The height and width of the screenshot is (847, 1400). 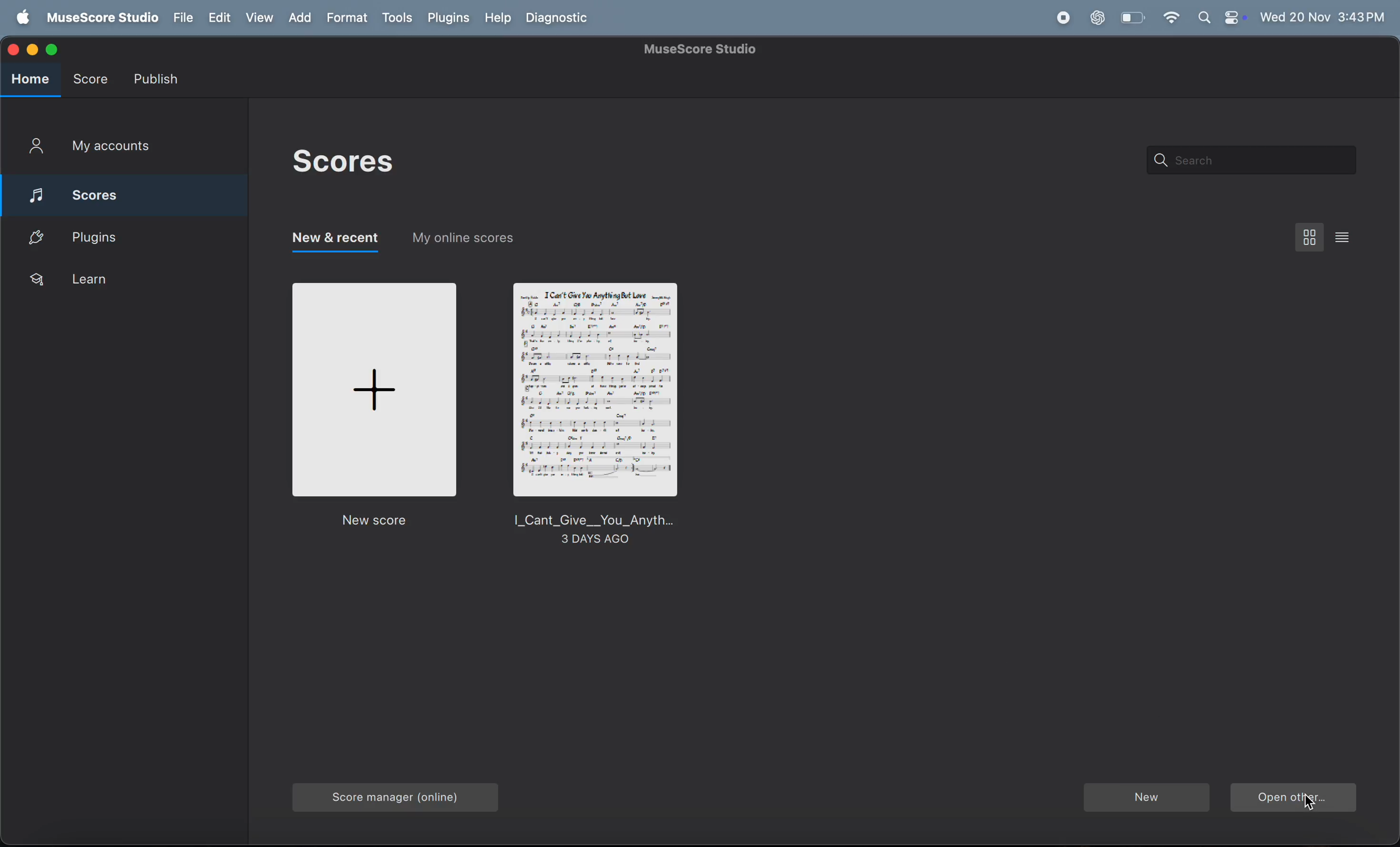 I want to click on daignostic, so click(x=564, y=18).